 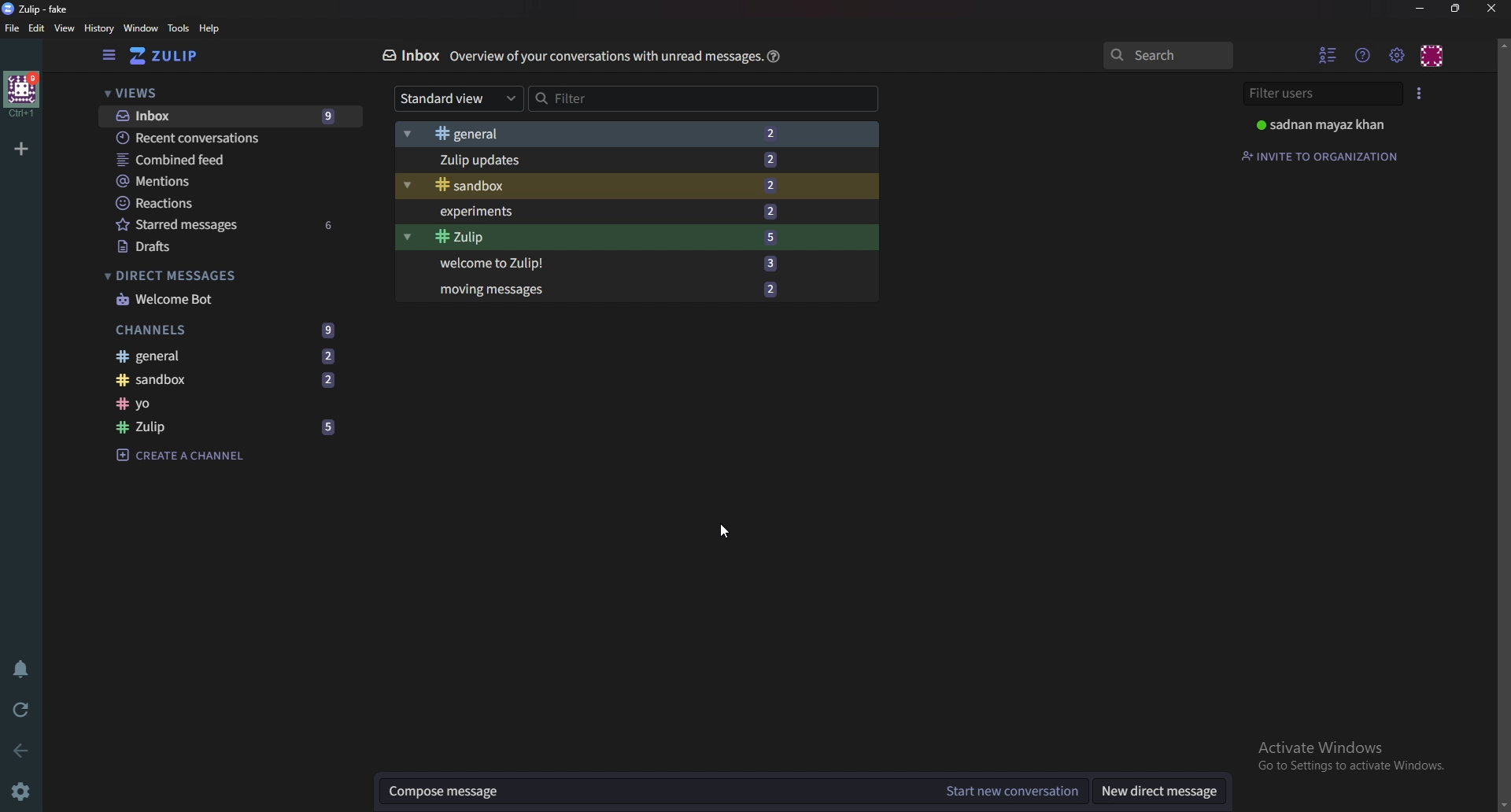 I want to click on Compose messages, so click(x=657, y=792).